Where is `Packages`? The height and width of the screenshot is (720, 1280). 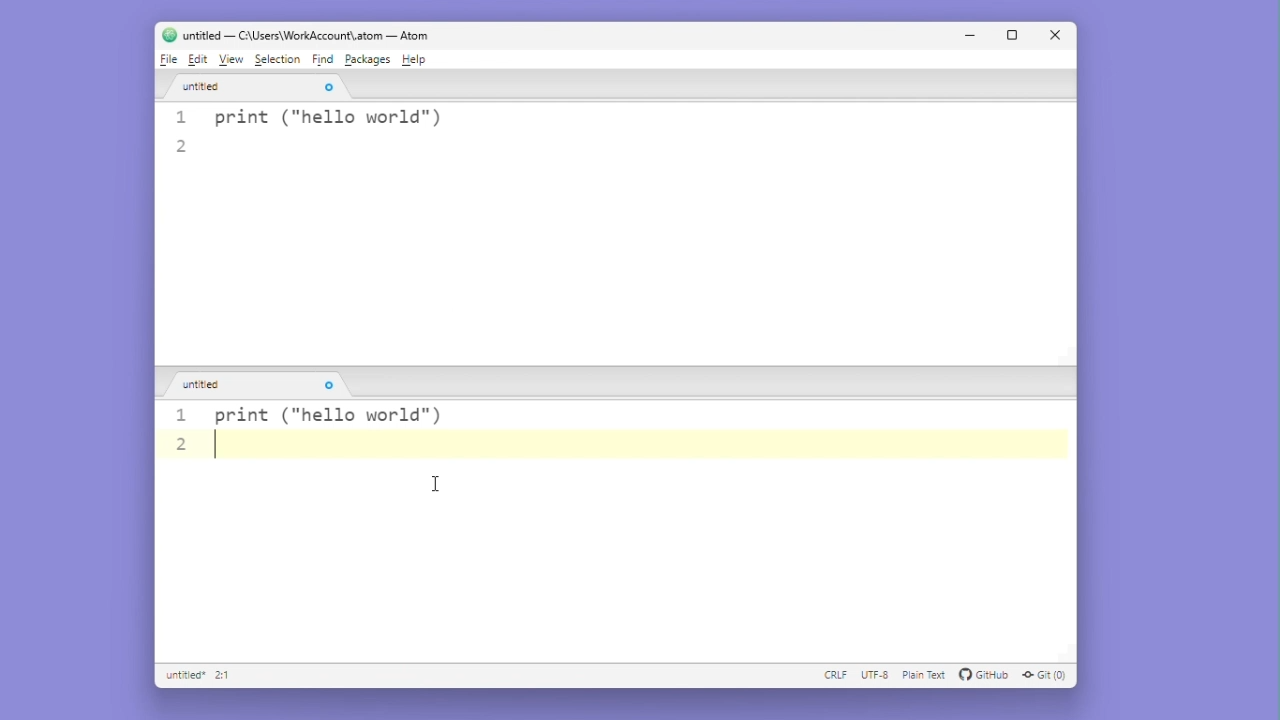 Packages is located at coordinates (368, 58).